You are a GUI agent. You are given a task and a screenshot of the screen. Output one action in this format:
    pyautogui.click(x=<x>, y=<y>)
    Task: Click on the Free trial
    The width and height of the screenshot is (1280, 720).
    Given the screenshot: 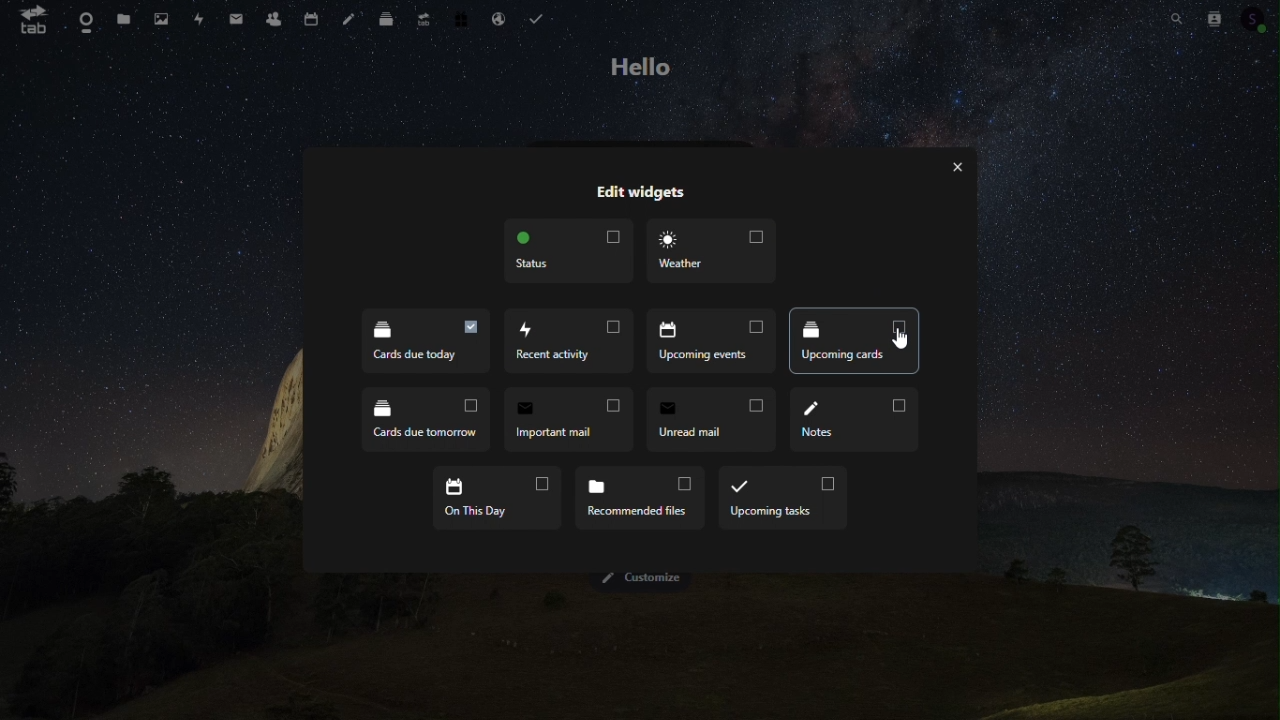 What is the action you would take?
    pyautogui.click(x=461, y=17)
    